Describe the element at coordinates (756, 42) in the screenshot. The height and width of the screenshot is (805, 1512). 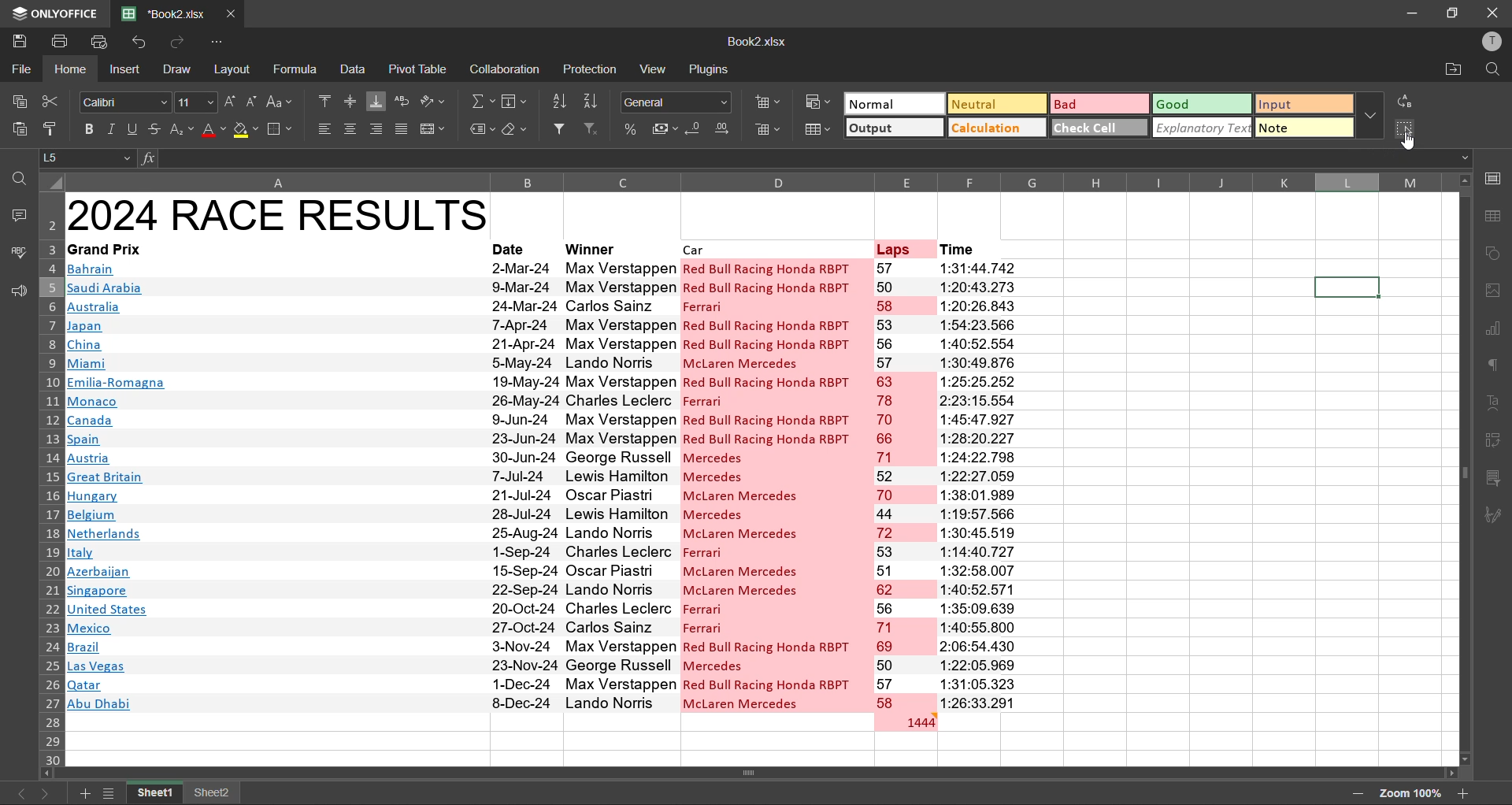
I see `filename` at that location.